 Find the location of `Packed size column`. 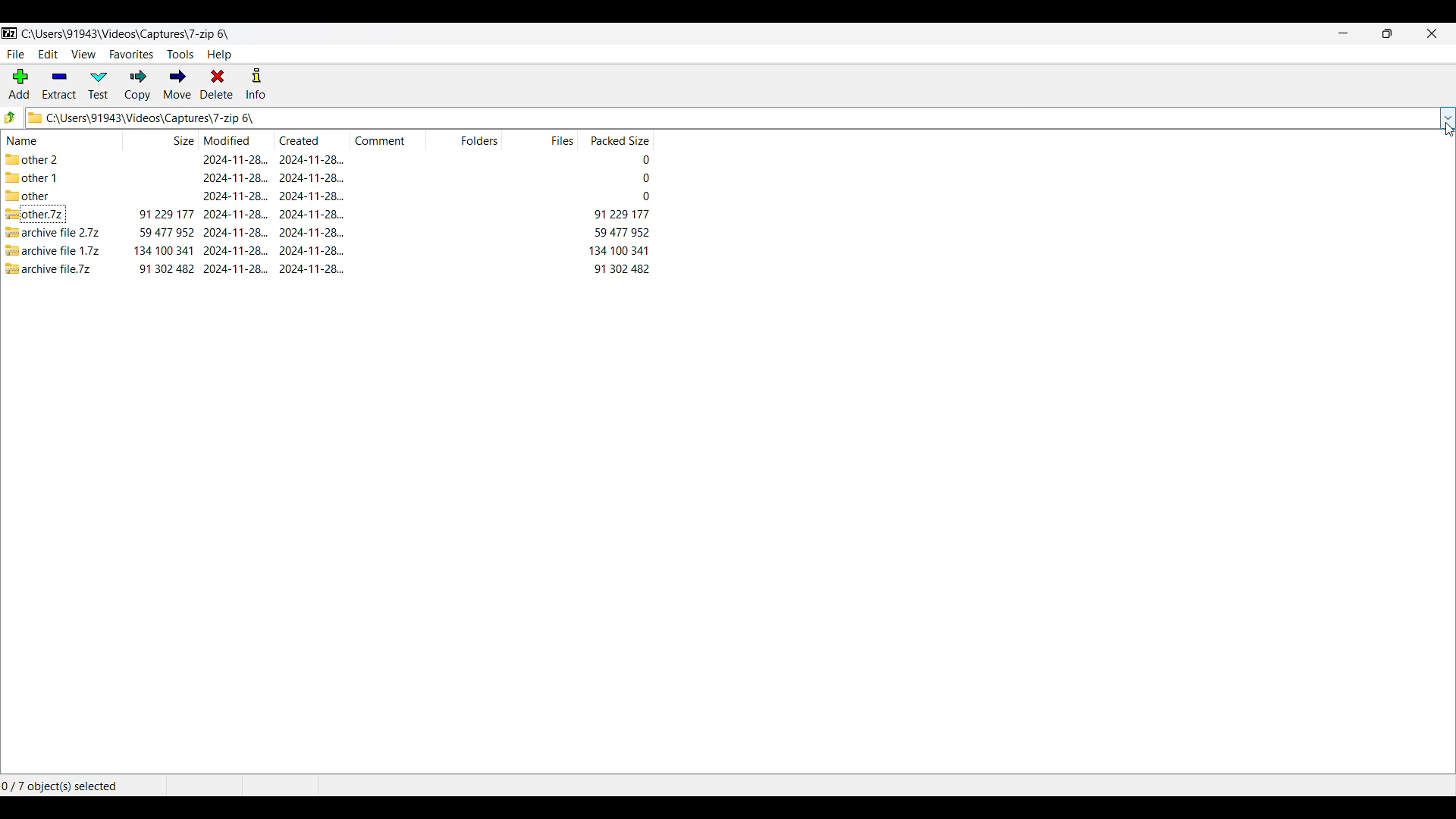

Packed size column is located at coordinates (615, 140).